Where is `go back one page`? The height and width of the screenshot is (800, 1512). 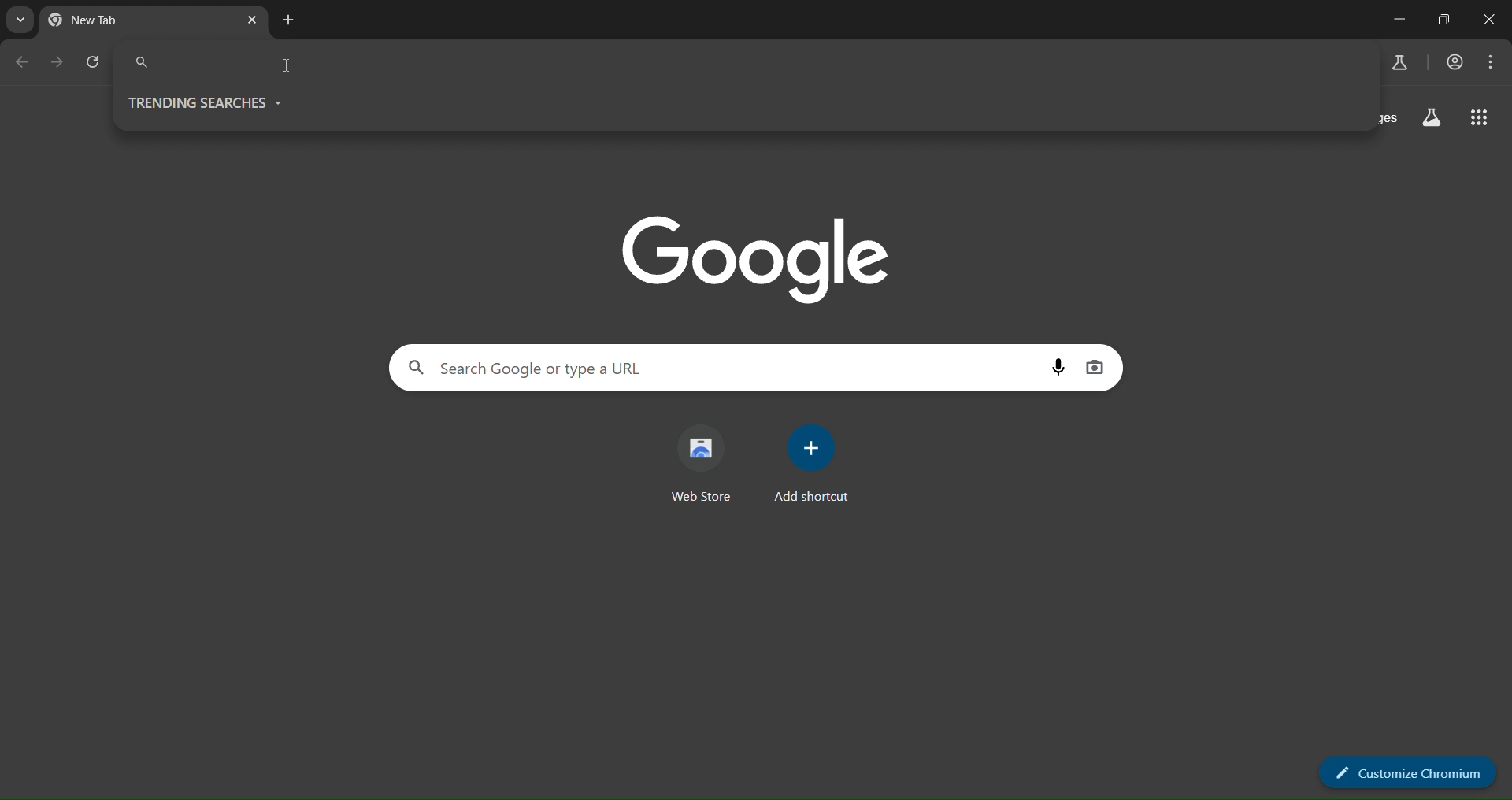
go back one page is located at coordinates (21, 65).